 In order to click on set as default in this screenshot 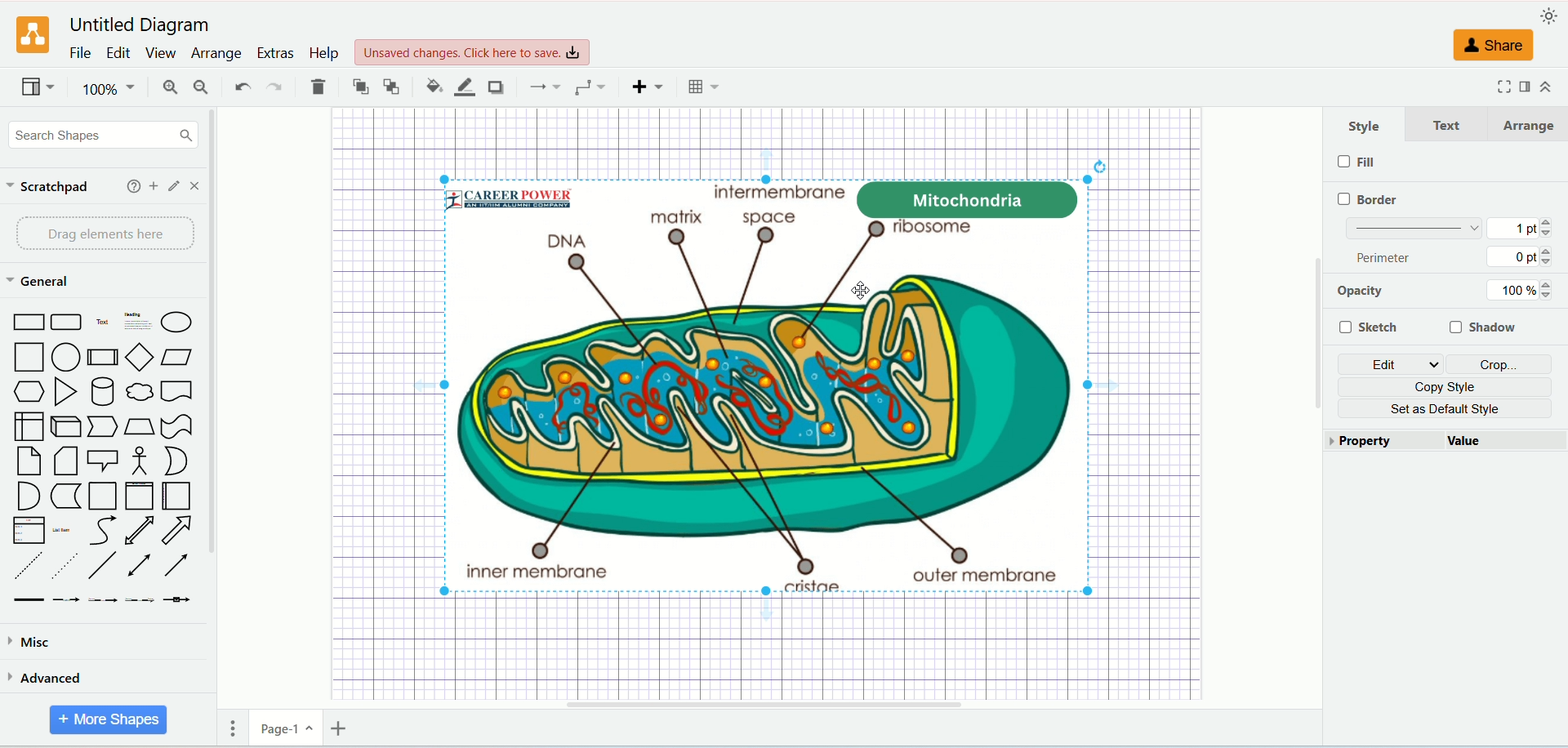, I will do `click(1449, 408)`.